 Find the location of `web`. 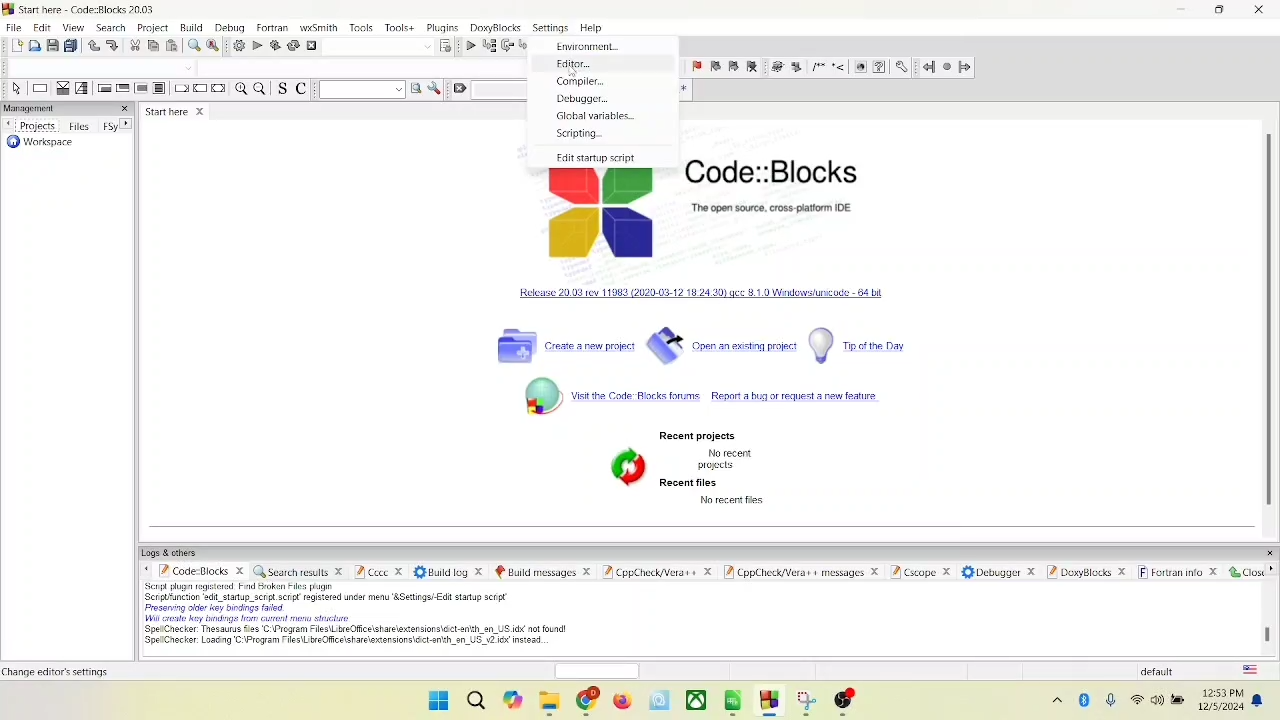

web is located at coordinates (860, 65).